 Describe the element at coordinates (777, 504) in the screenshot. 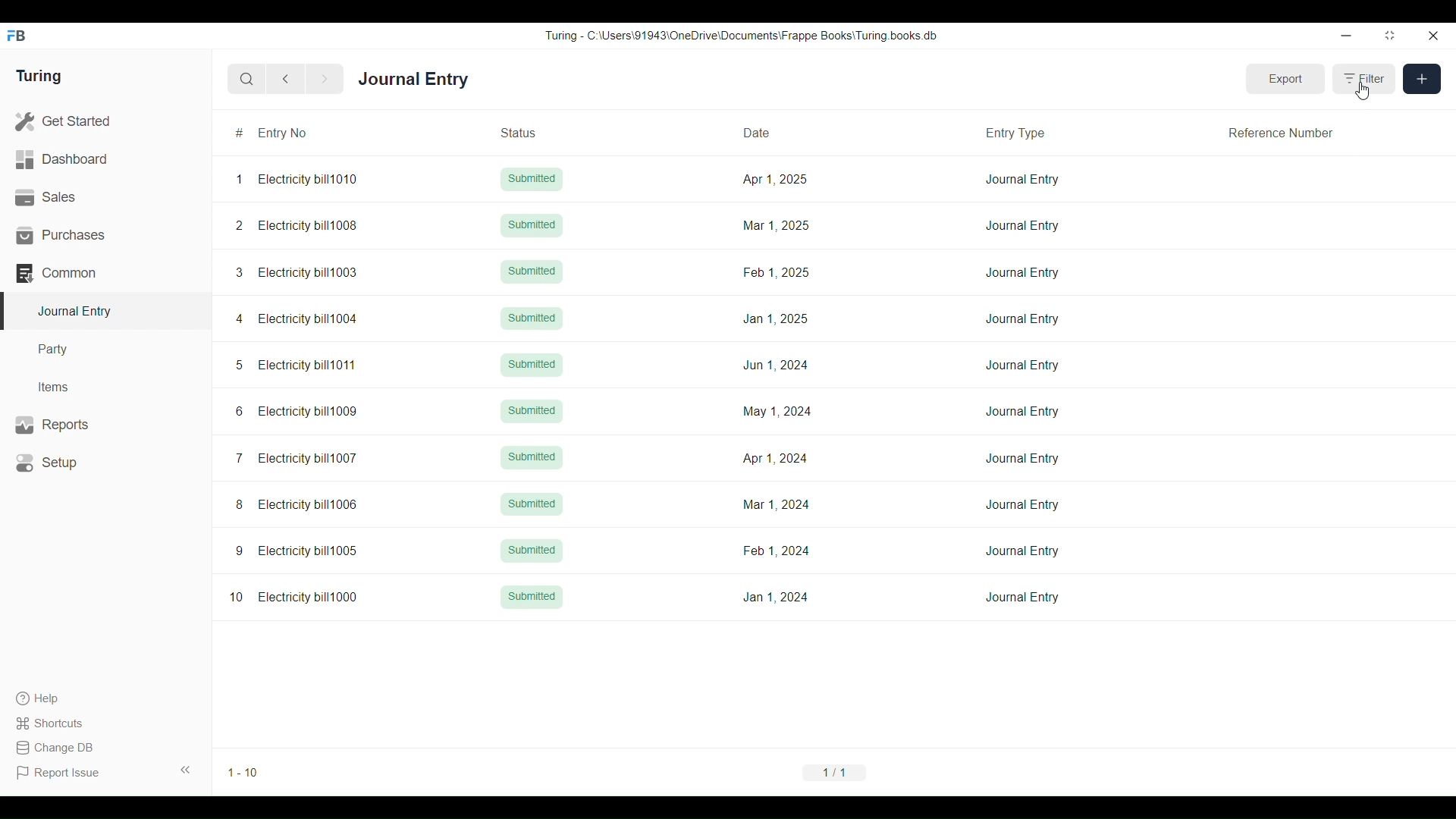

I see `Mar 1, 2024` at that location.